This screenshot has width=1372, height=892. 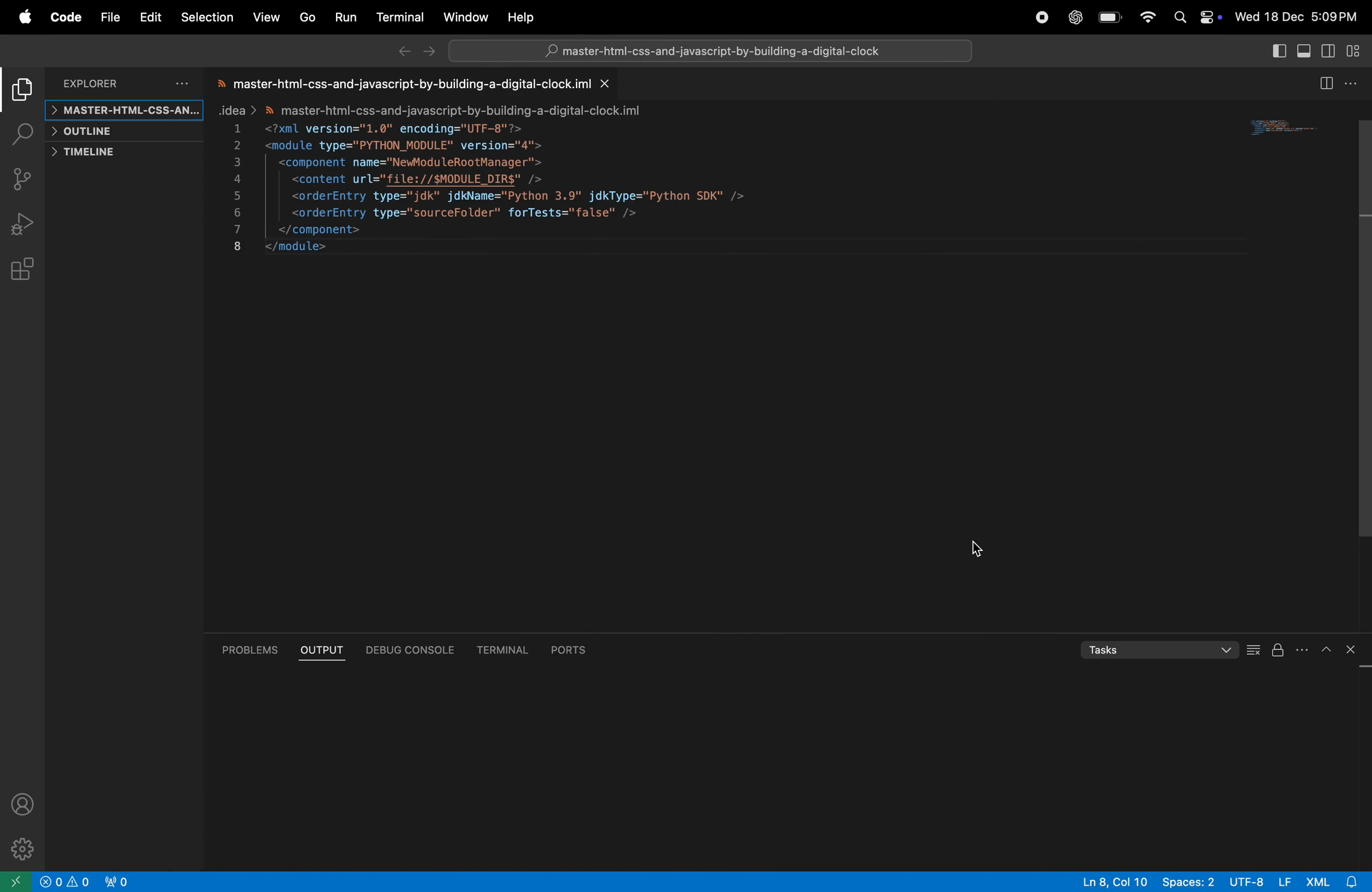 I want to click on debug console, so click(x=413, y=650).